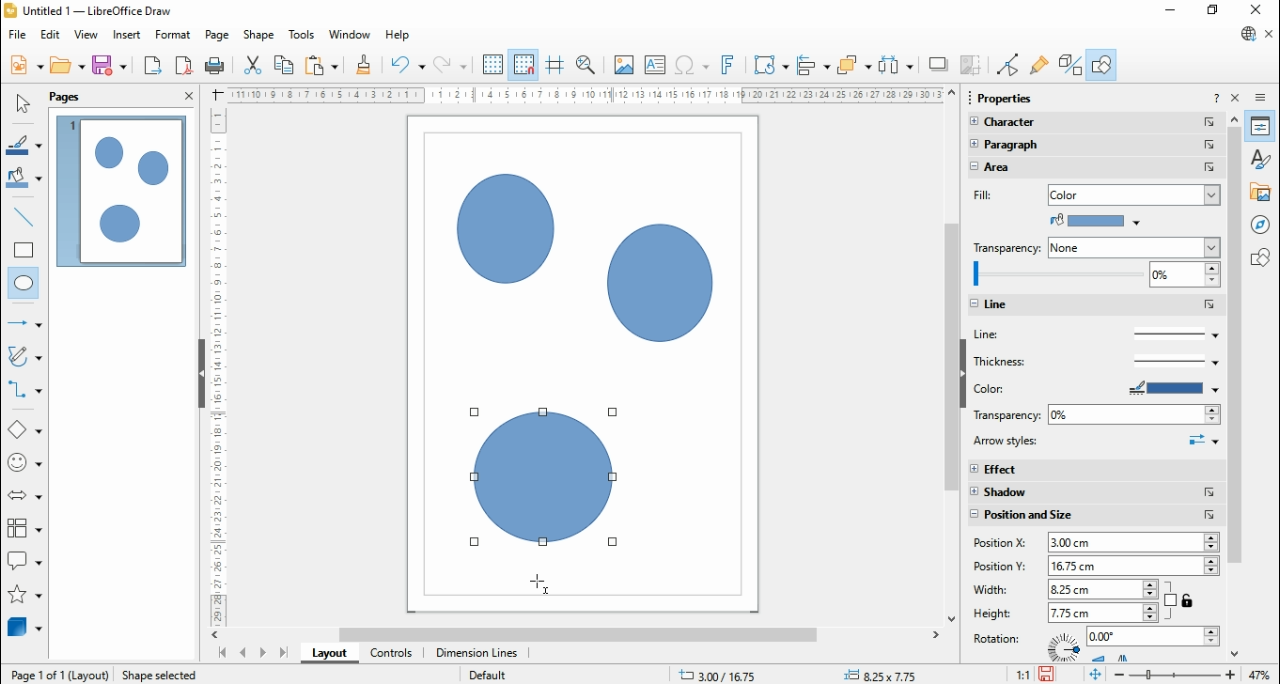 This screenshot has height=684, width=1280. What do you see at coordinates (303, 36) in the screenshot?
I see `tools` at bounding box center [303, 36].